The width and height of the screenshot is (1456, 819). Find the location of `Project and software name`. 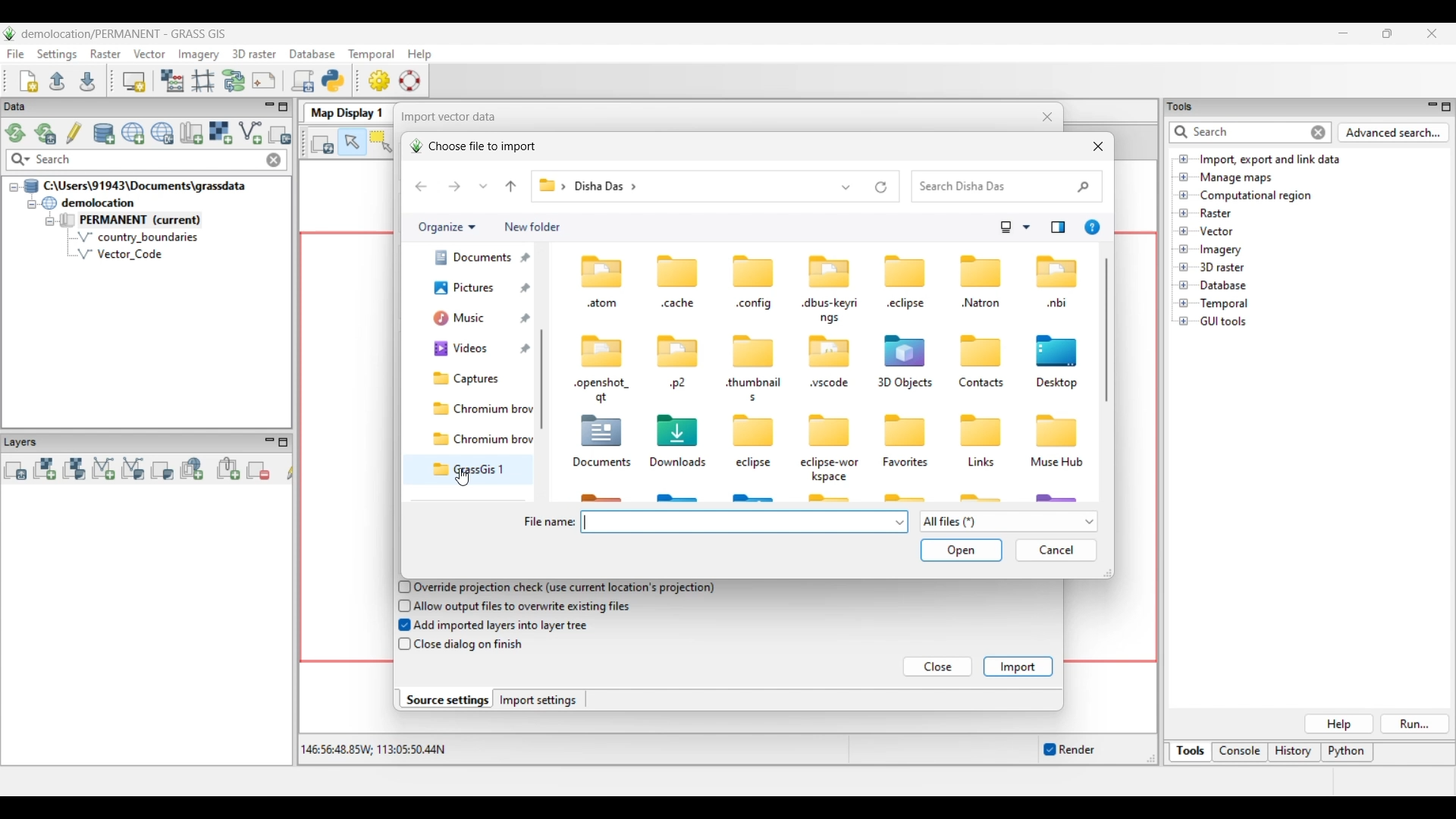

Project and software name is located at coordinates (124, 34).